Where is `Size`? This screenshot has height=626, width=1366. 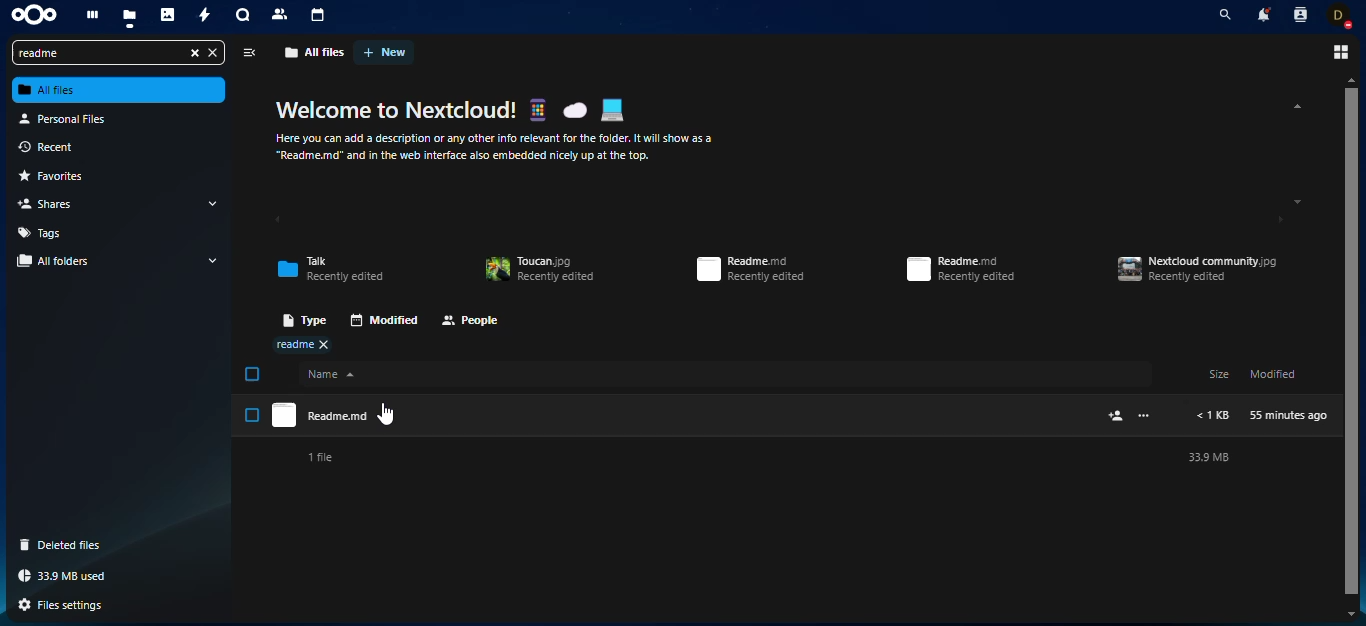 Size is located at coordinates (1219, 373).